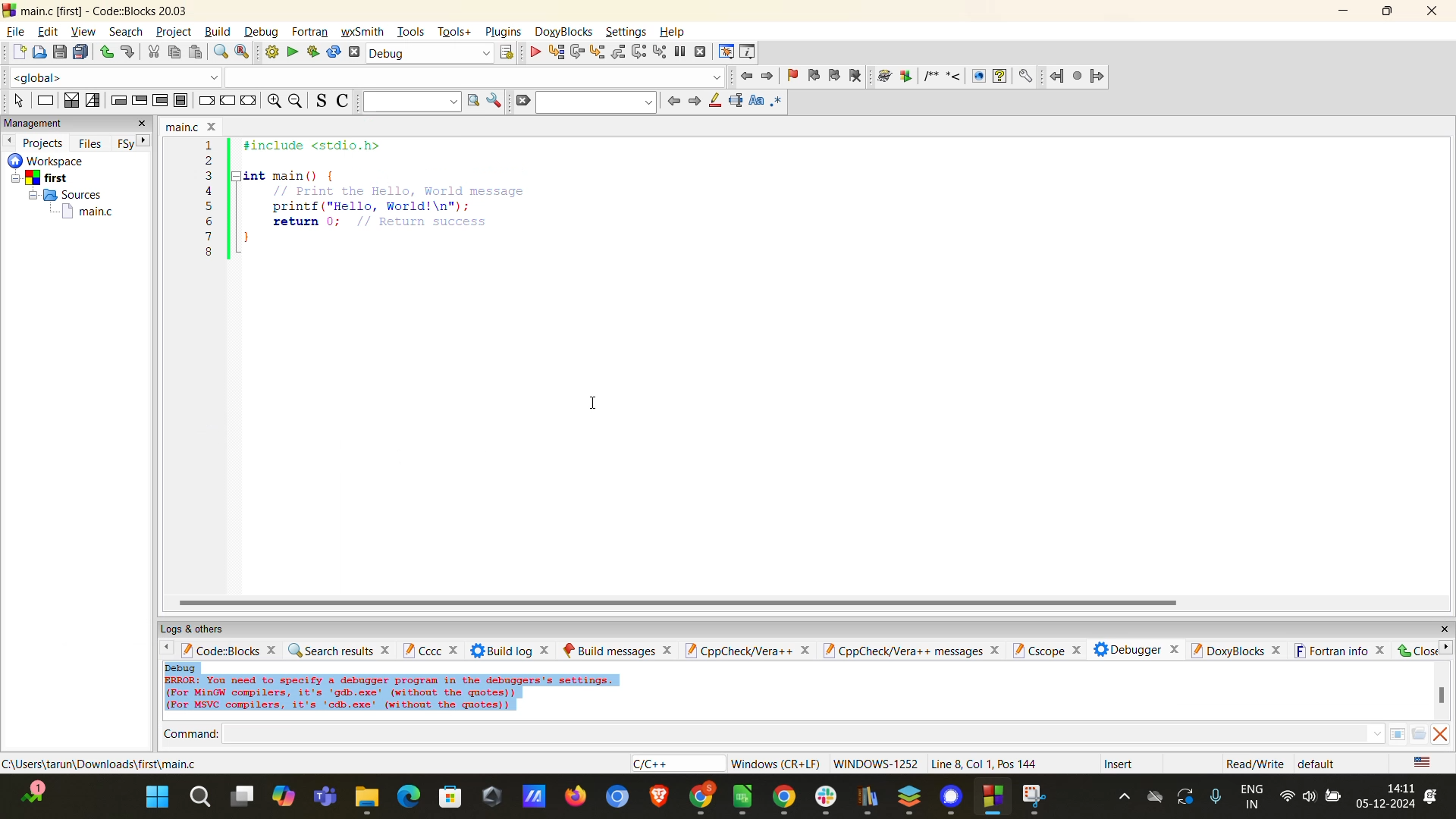 The image size is (1456, 819). What do you see at coordinates (493, 102) in the screenshot?
I see `show options window` at bounding box center [493, 102].